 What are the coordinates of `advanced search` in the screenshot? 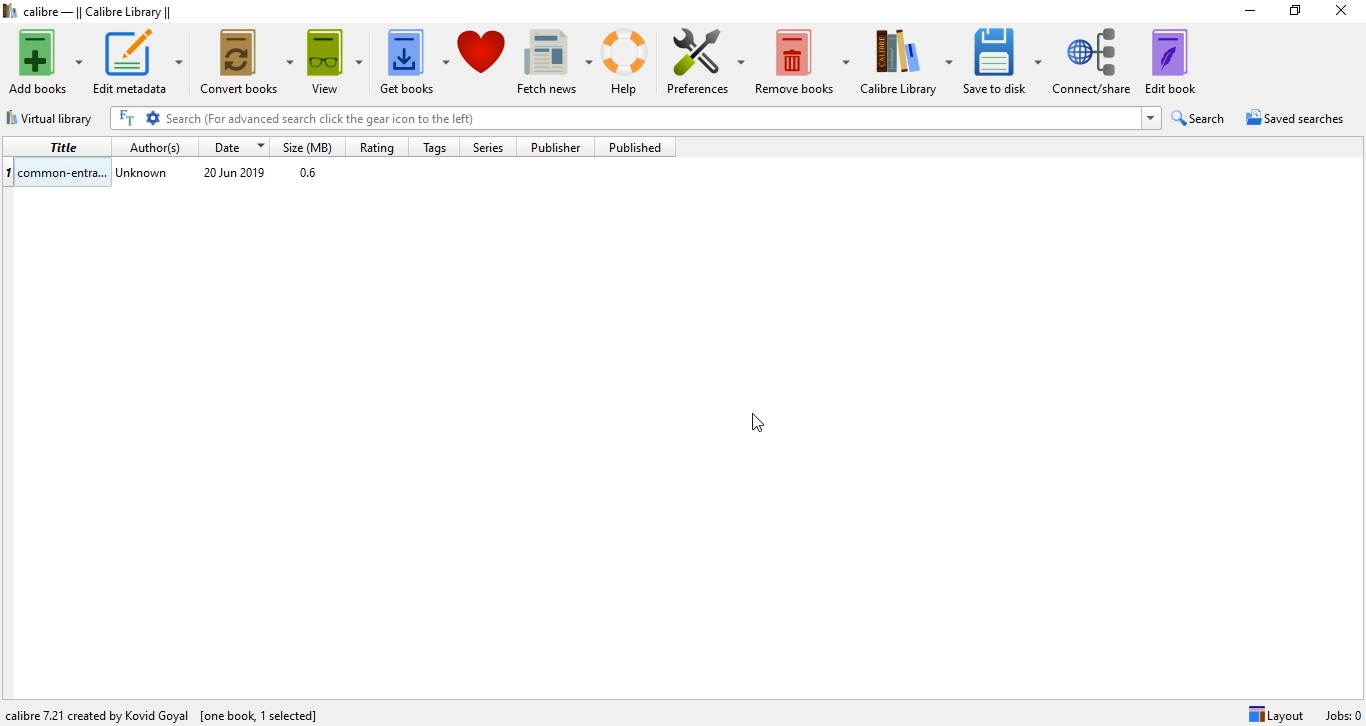 It's located at (154, 118).